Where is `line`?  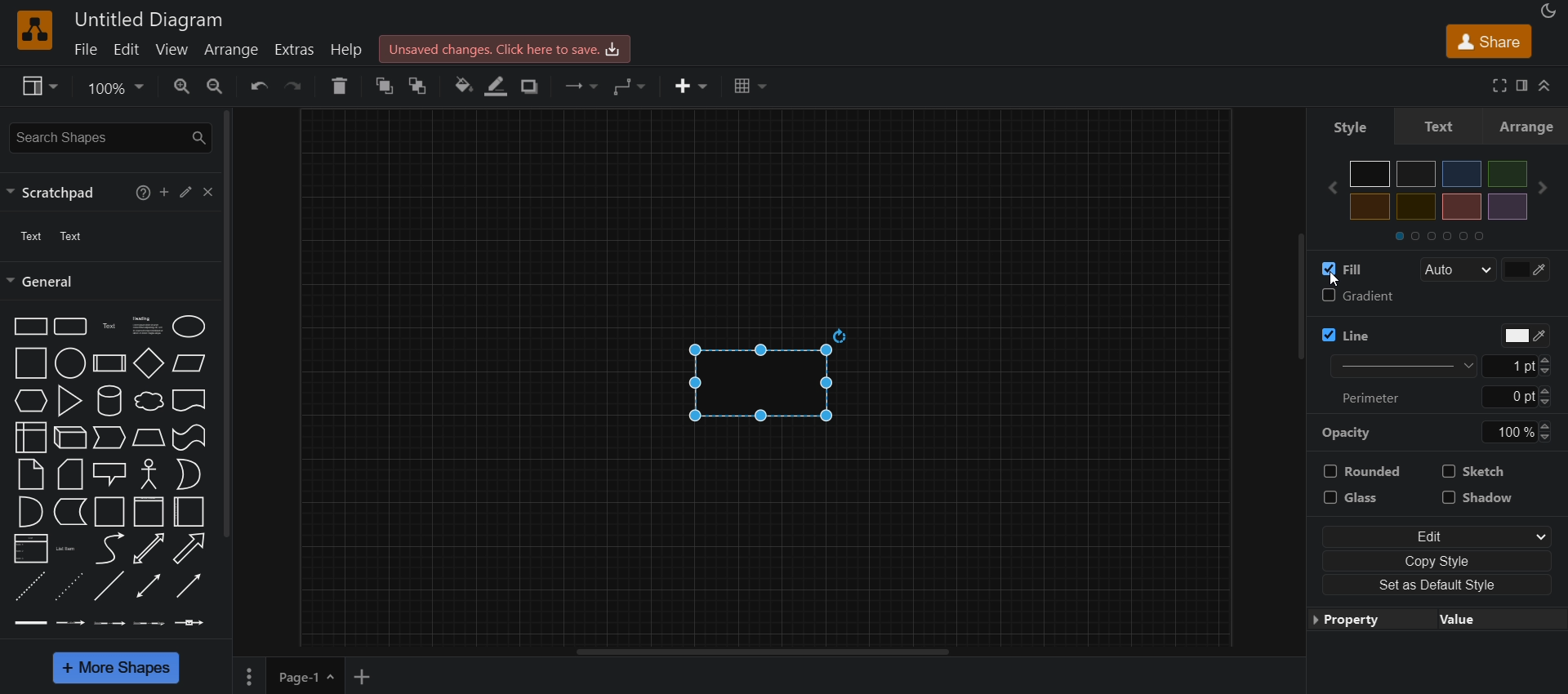 line is located at coordinates (109, 587).